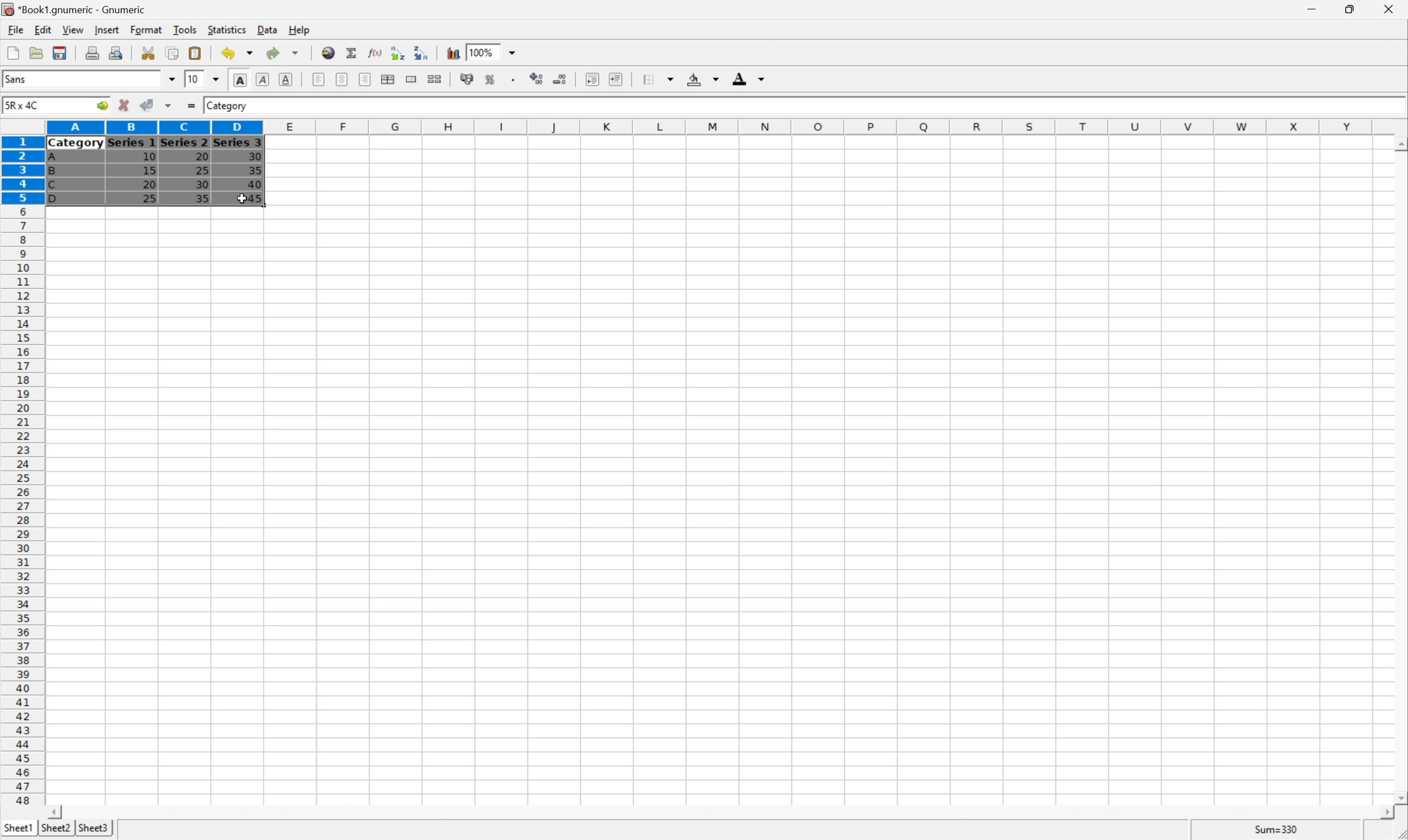 This screenshot has width=1408, height=840. What do you see at coordinates (300, 31) in the screenshot?
I see `Help` at bounding box center [300, 31].